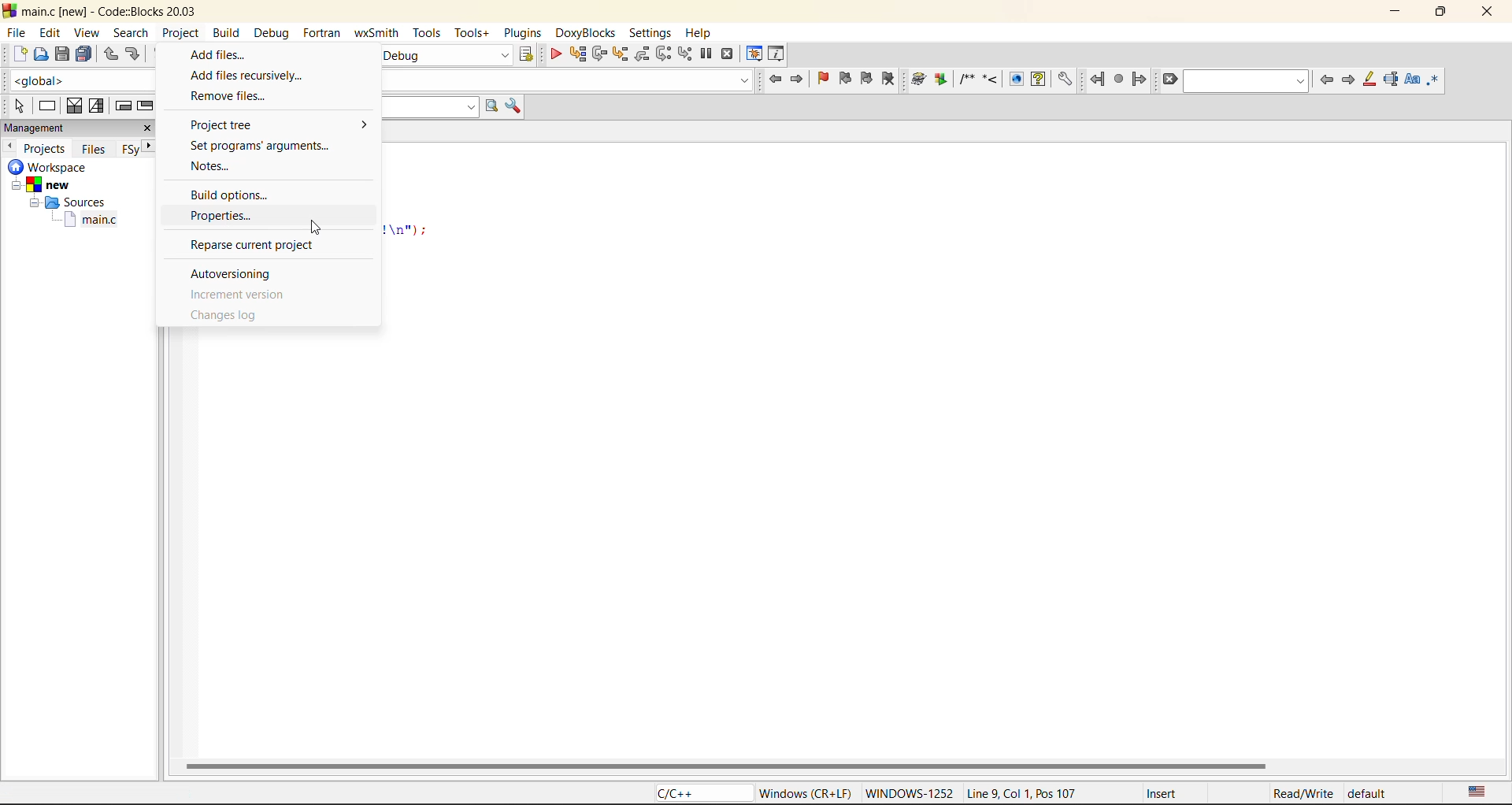 The image size is (1512, 805). Describe the element at coordinates (429, 33) in the screenshot. I see `tools` at that location.